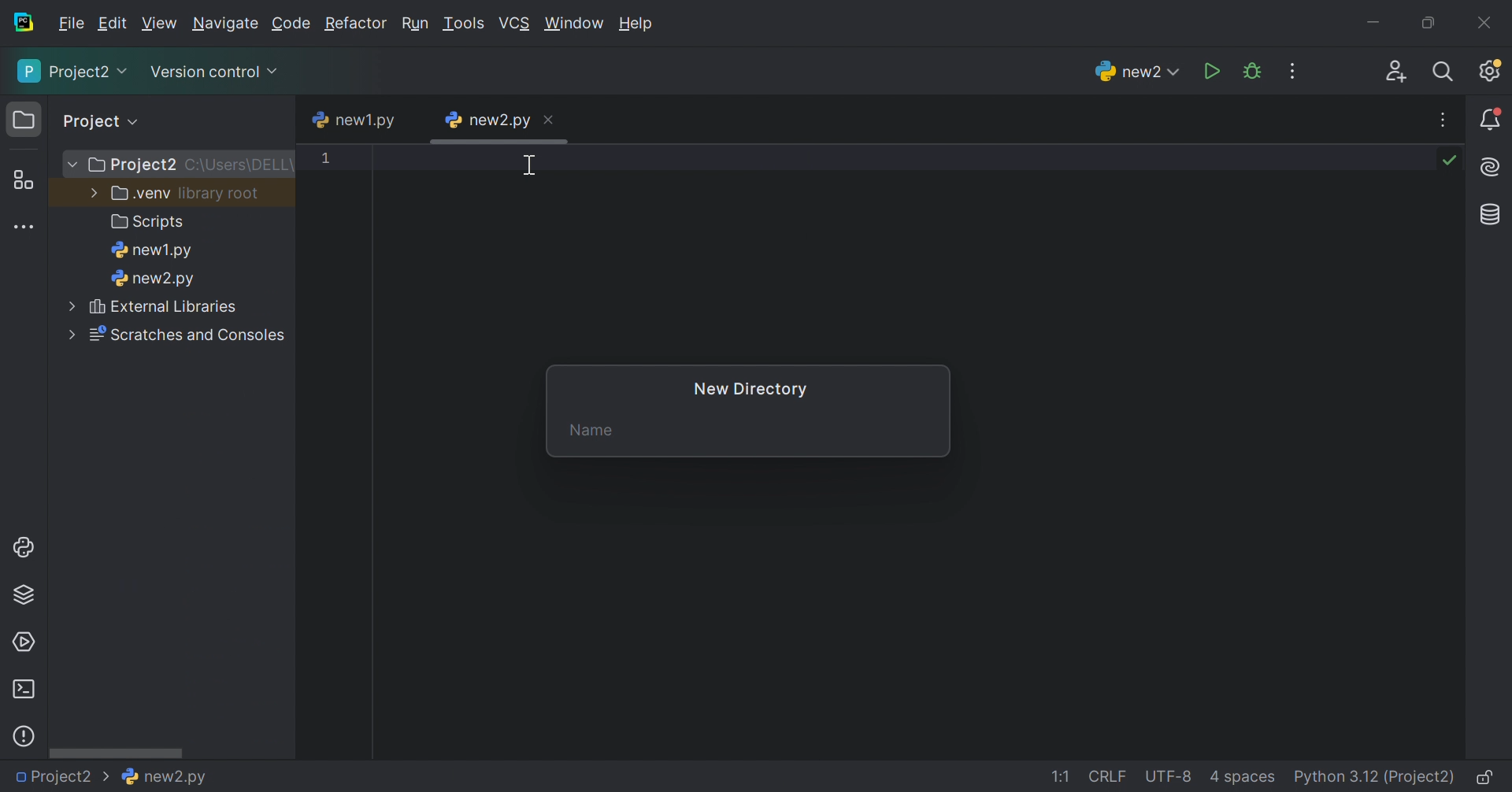 This screenshot has height=792, width=1512. I want to click on Navigate, so click(225, 23).